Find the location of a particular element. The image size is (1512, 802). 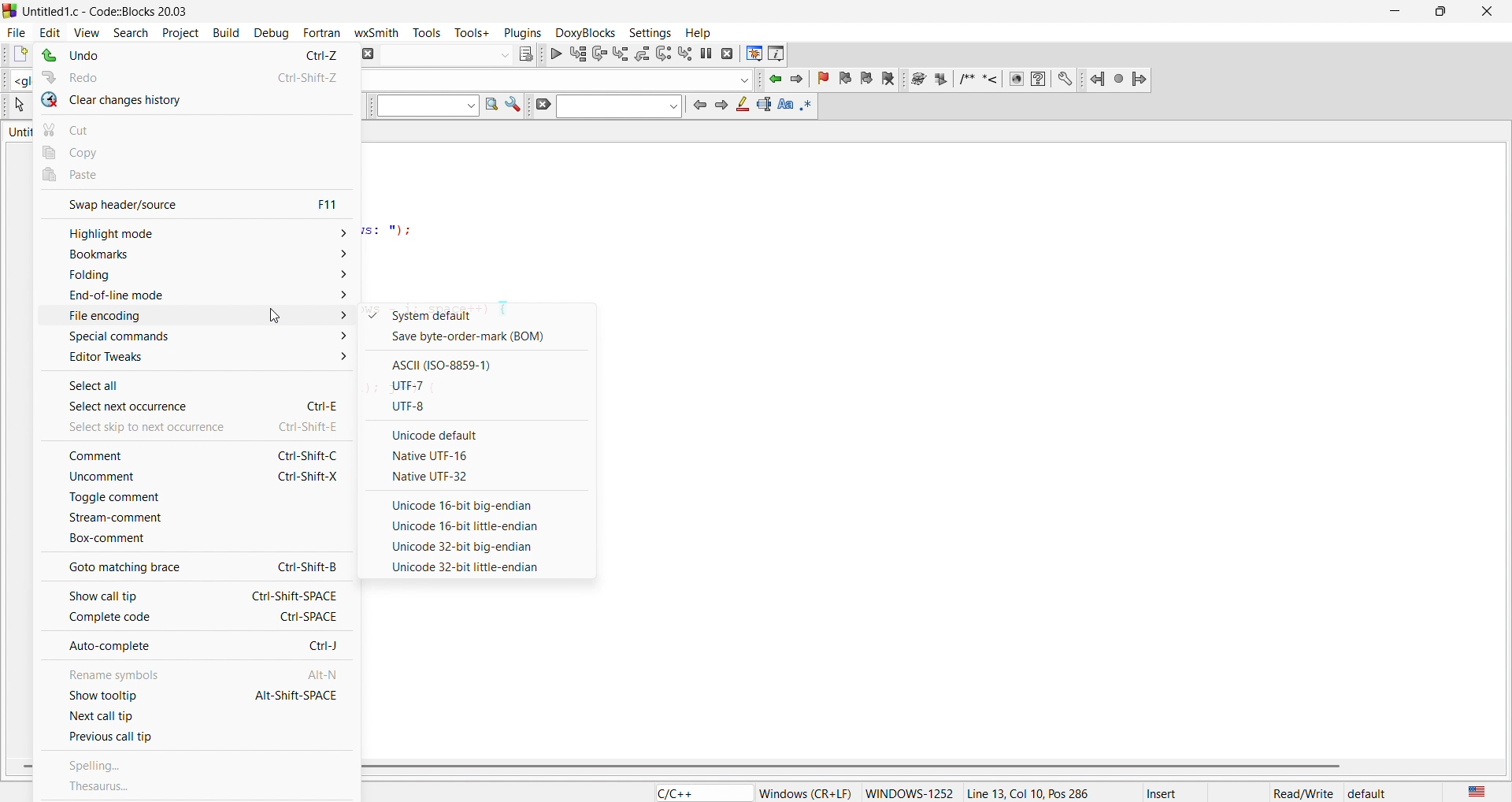

file encoding is located at coordinates (201, 317).